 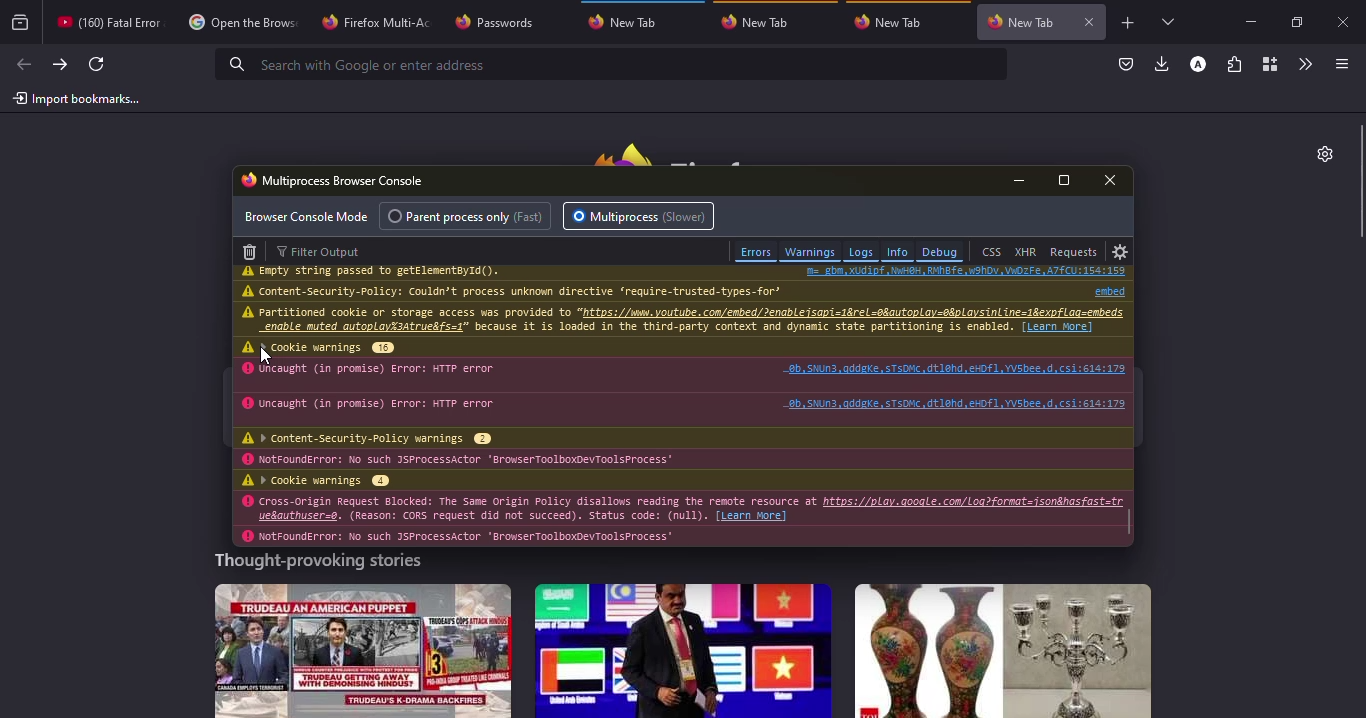 I want to click on warning, so click(x=246, y=404).